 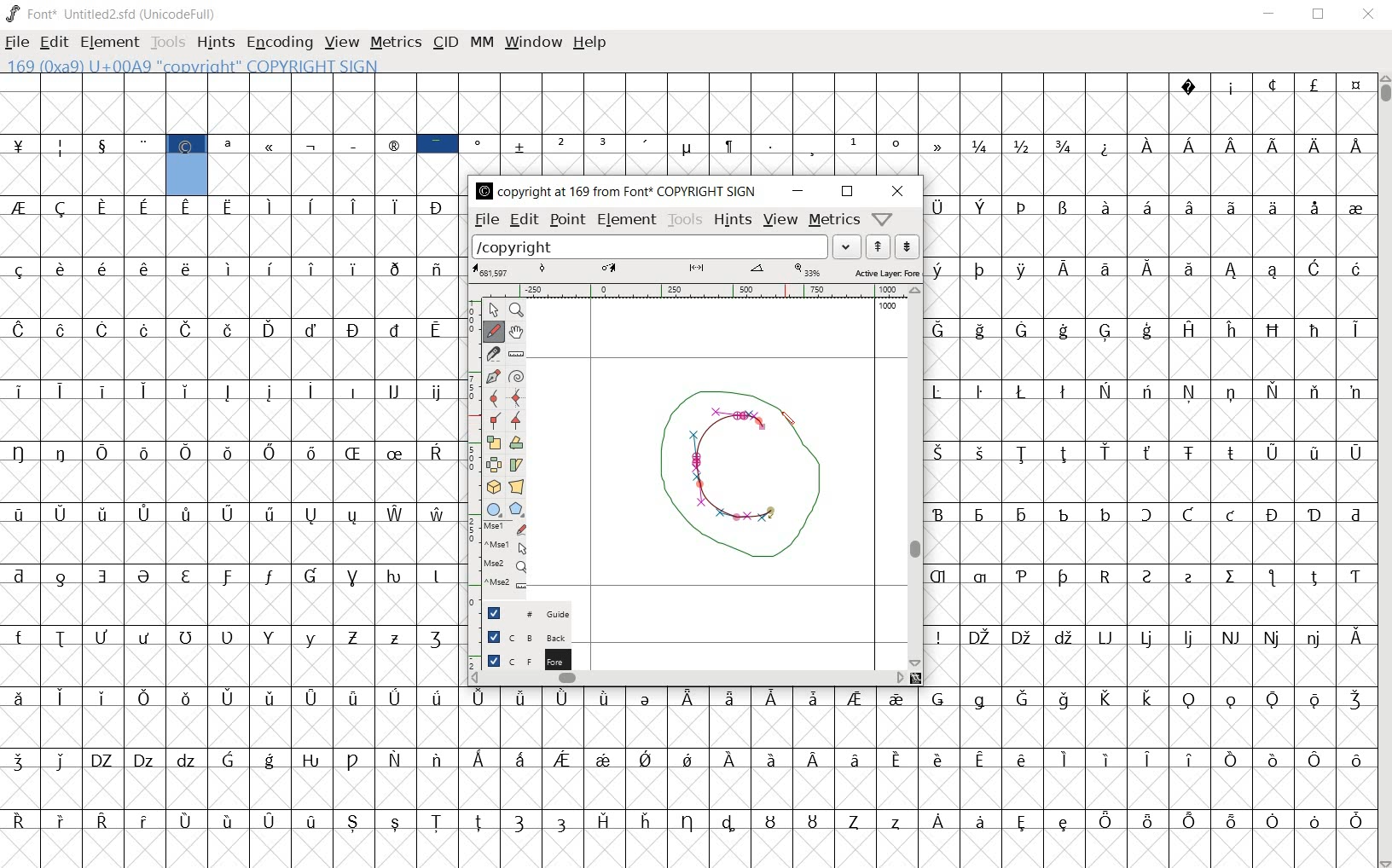 What do you see at coordinates (200, 65) in the screenshot?
I see `169 (0x9a) U+00A9 "copyright" COPYRIGHT SIGN` at bounding box center [200, 65].